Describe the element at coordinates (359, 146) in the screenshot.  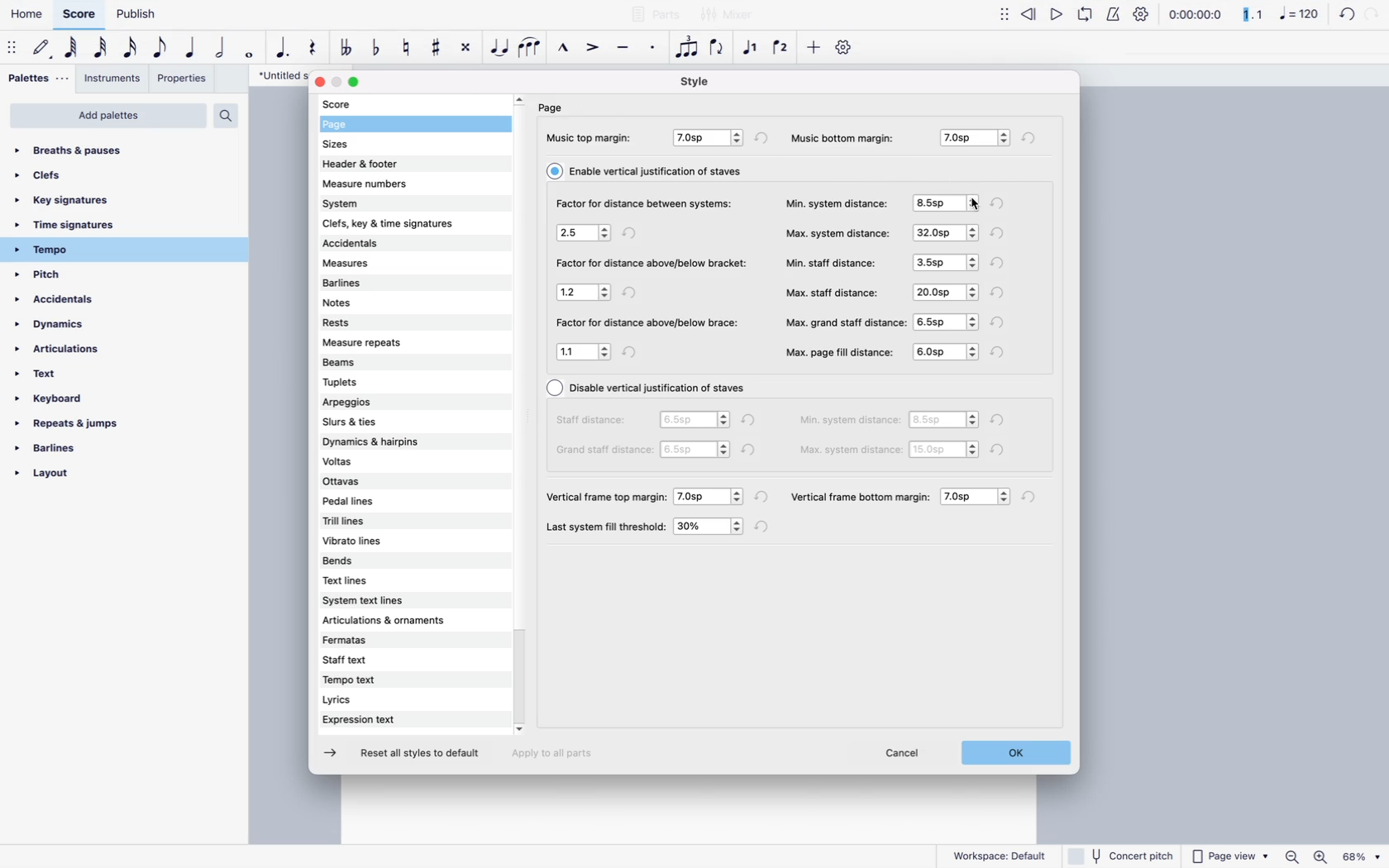
I see `sizes` at that location.